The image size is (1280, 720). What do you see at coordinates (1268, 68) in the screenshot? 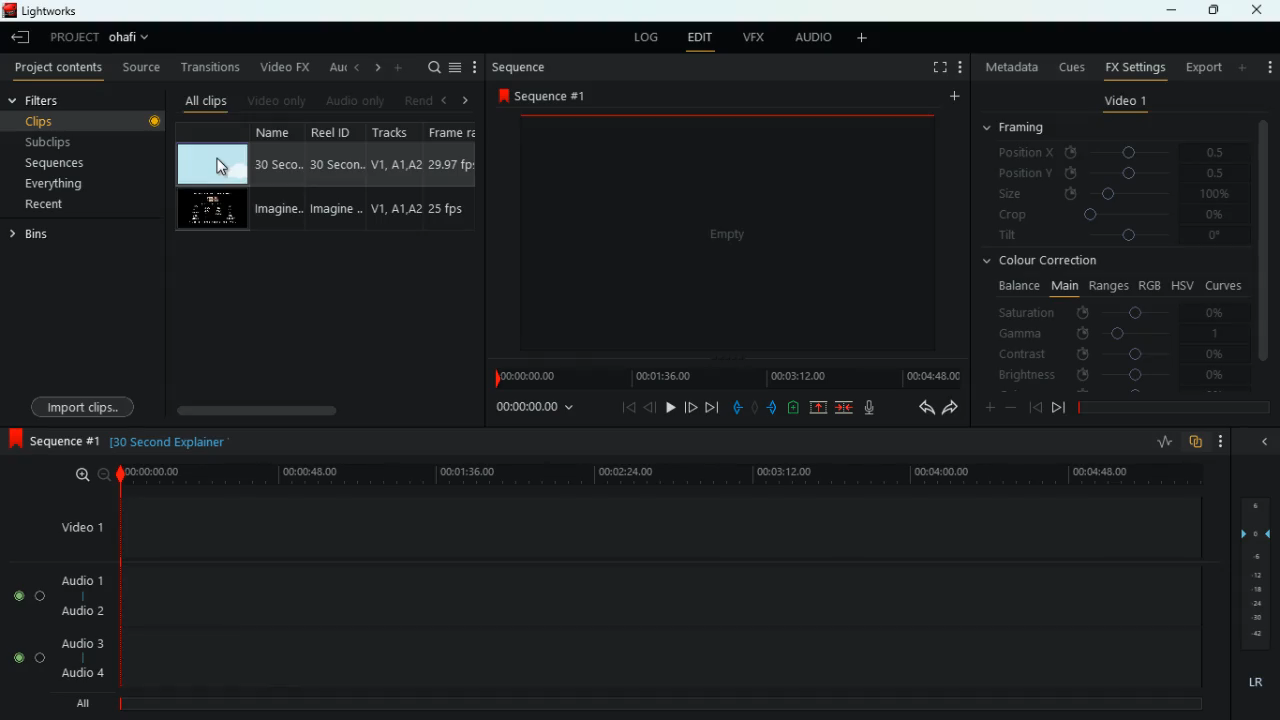
I see `more` at bounding box center [1268, 68].